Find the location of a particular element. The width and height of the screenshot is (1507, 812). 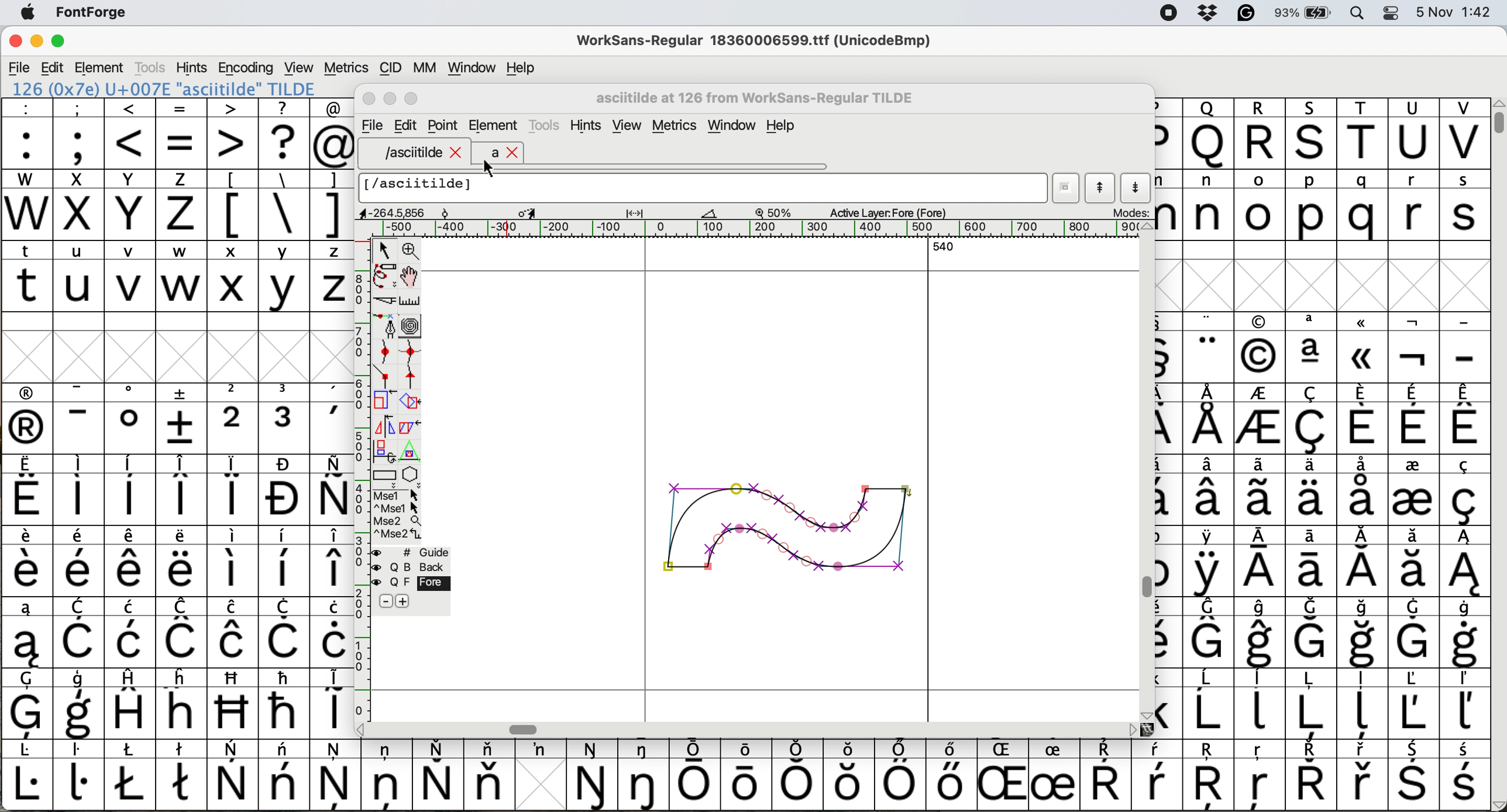

symbol is located at coordinates (1464, 562).